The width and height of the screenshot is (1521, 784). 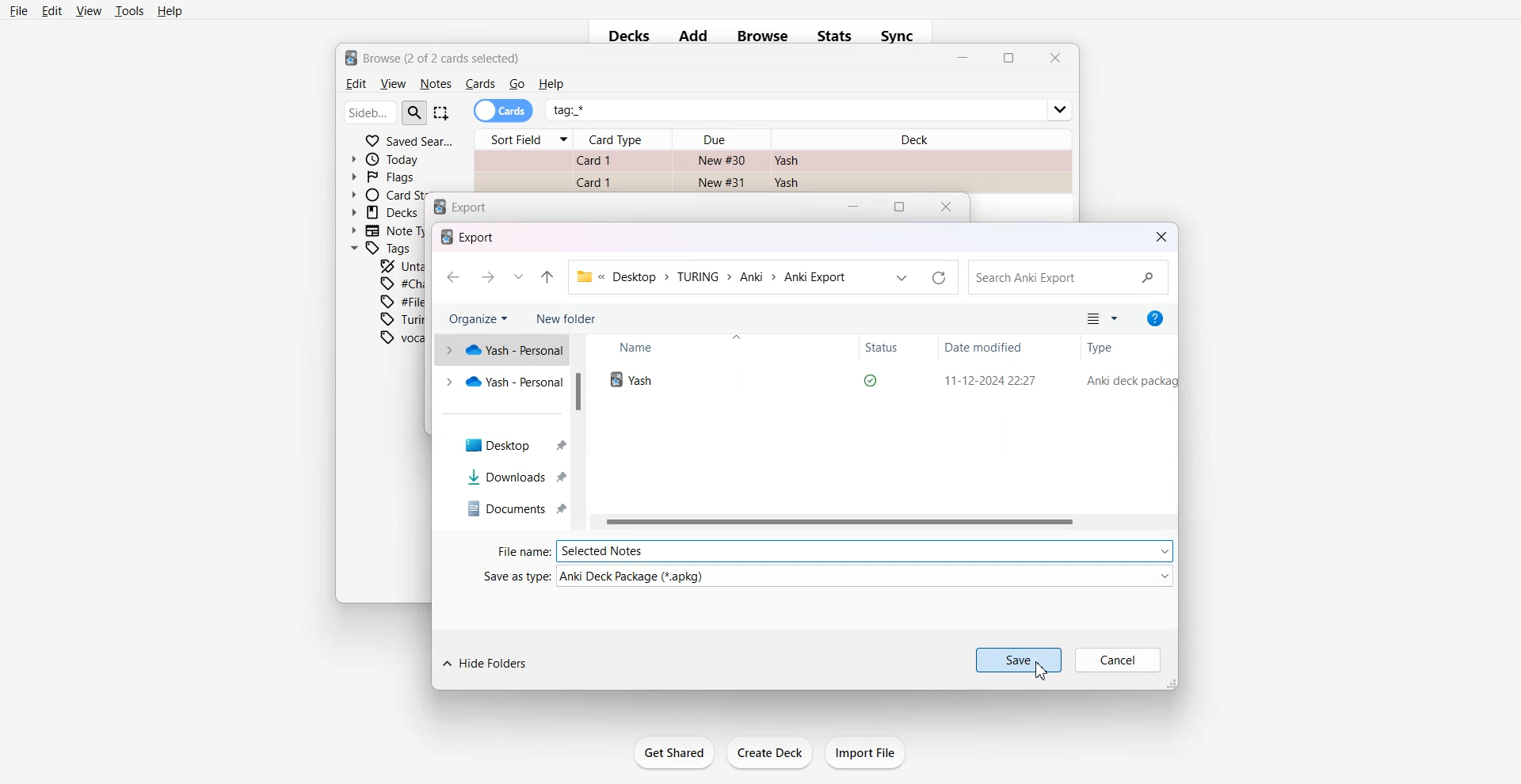 I want to click on Get Help, so click(x=1151, y=318).